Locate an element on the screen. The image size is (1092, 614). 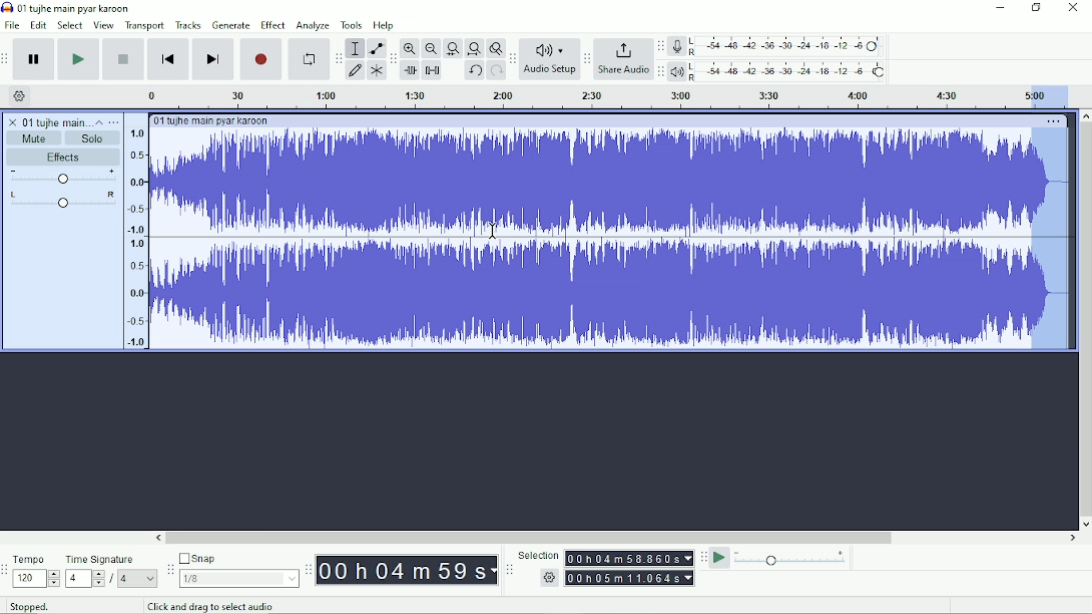
Restore down is located at coordinates (1038, 7).